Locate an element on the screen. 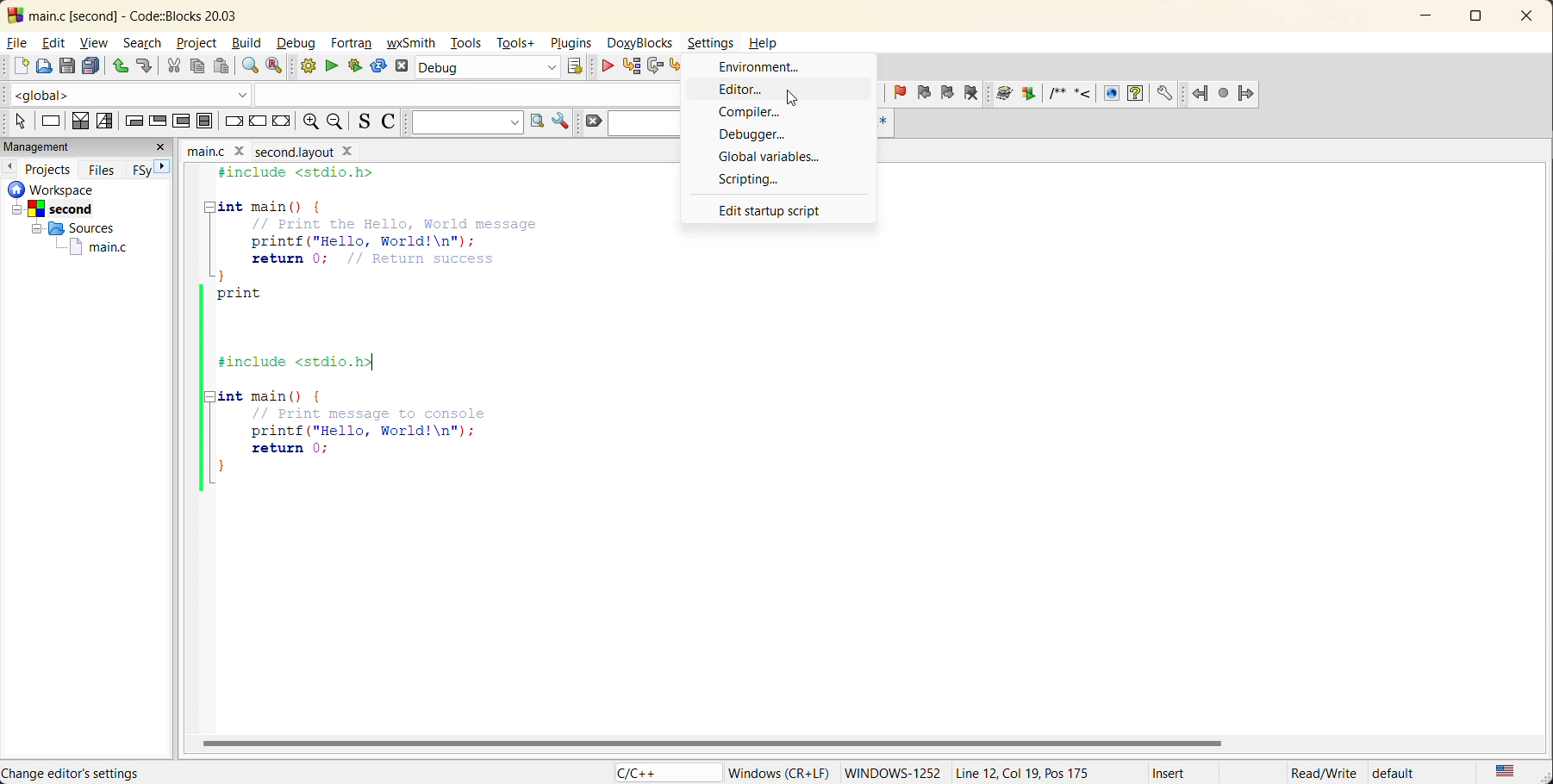  replace is located at coordinates (275, 65).